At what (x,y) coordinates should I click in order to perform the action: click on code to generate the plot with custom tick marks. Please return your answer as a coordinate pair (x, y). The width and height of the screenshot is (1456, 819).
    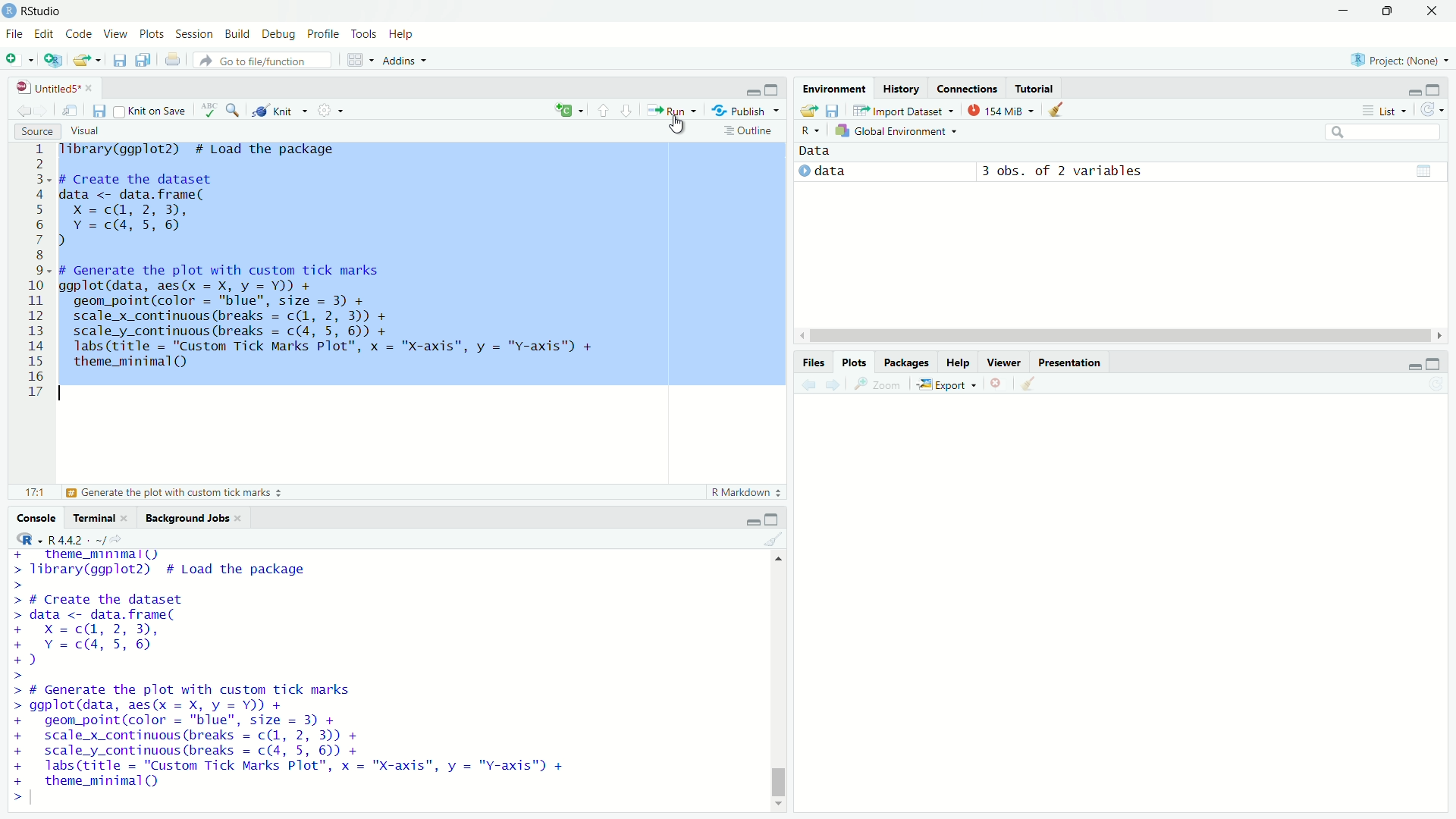
    Looking at the image, I should click on (338, 322).